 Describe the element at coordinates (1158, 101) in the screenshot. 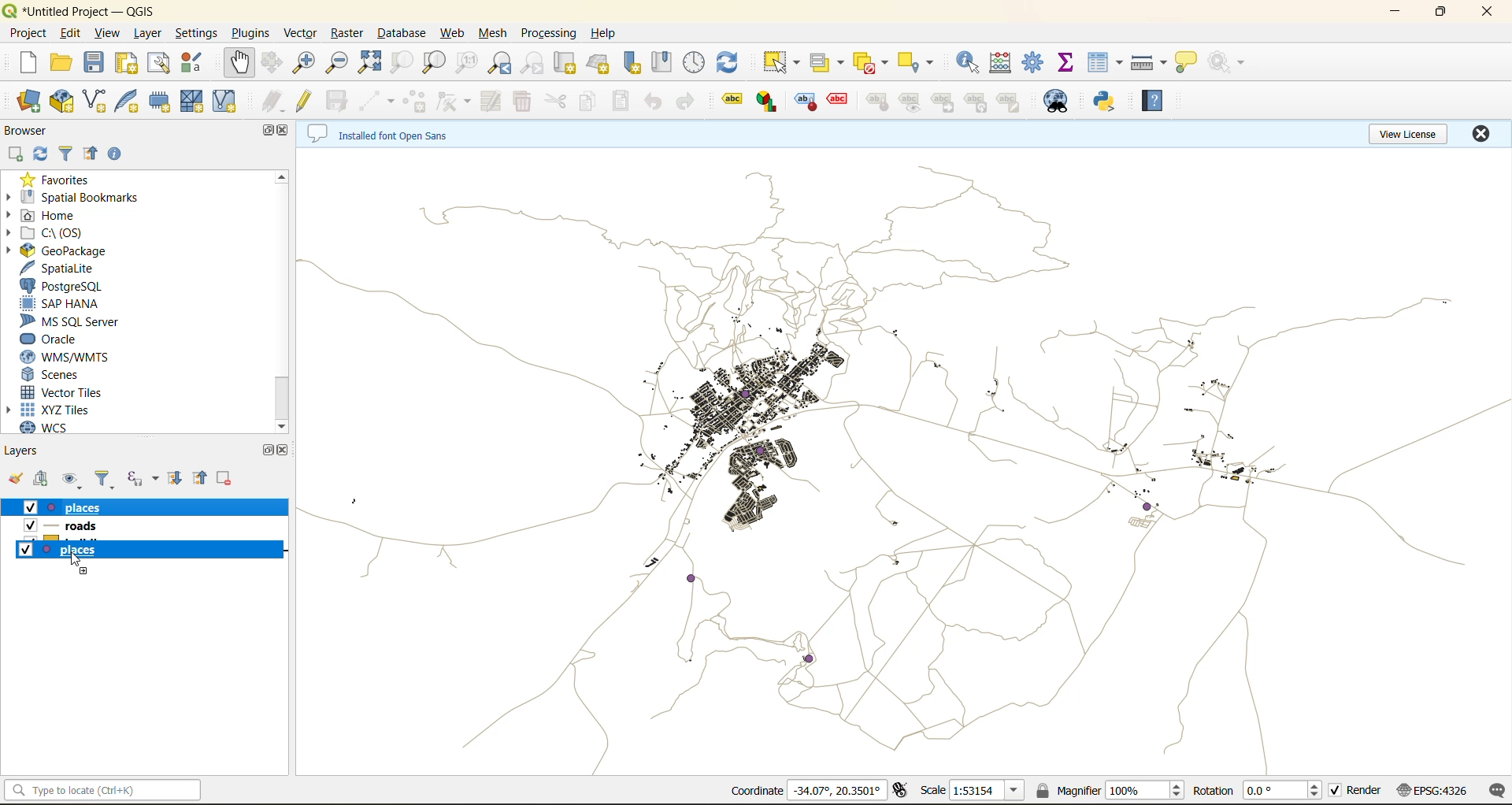

I see `help` at that location.